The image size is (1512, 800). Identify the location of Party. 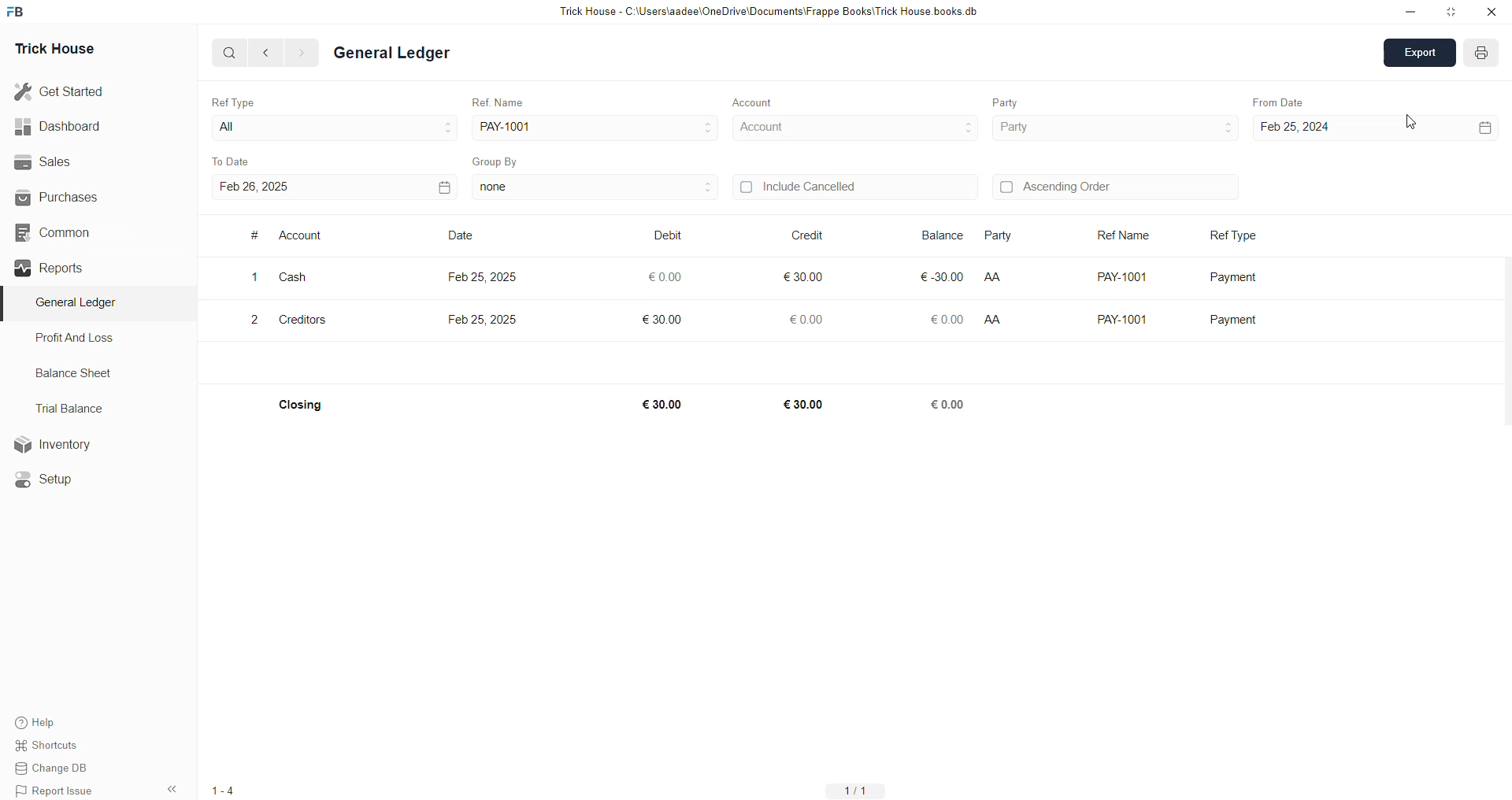
(1013, 128).